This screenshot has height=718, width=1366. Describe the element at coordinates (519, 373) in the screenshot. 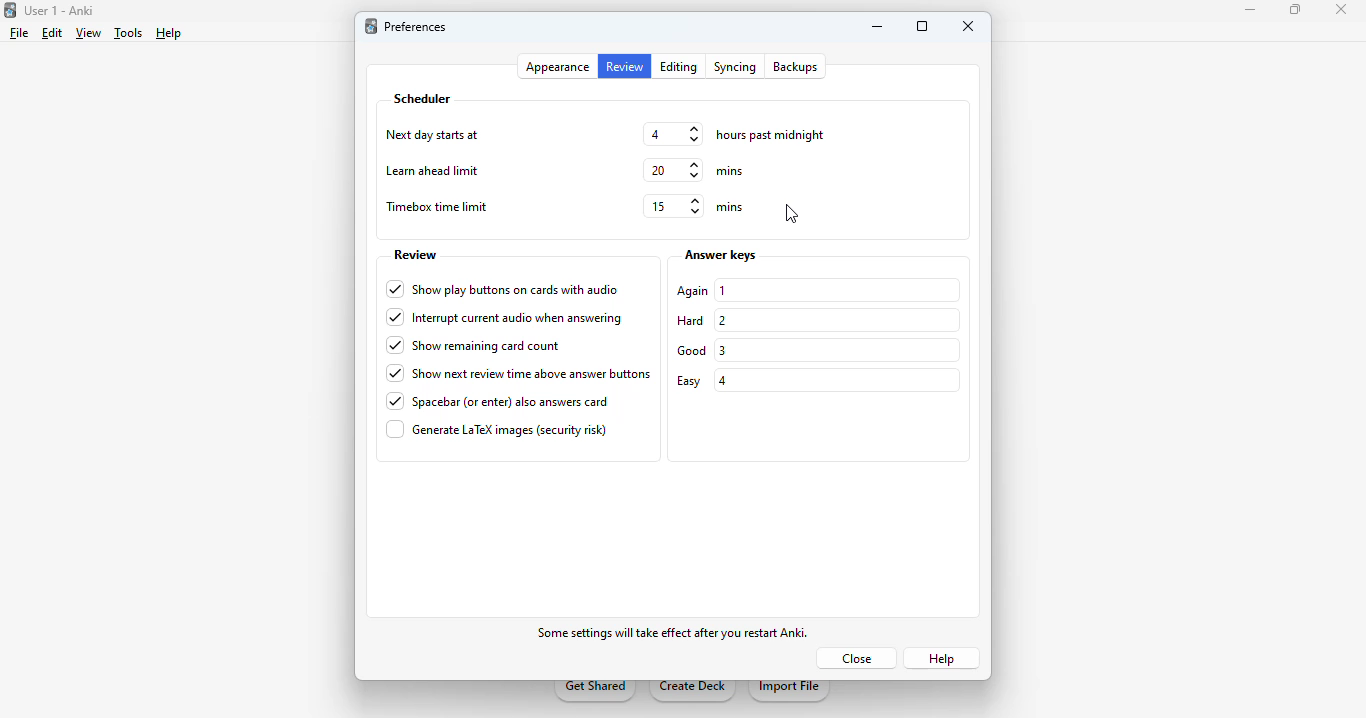

I see `show next review time above answer buttons` at that location.